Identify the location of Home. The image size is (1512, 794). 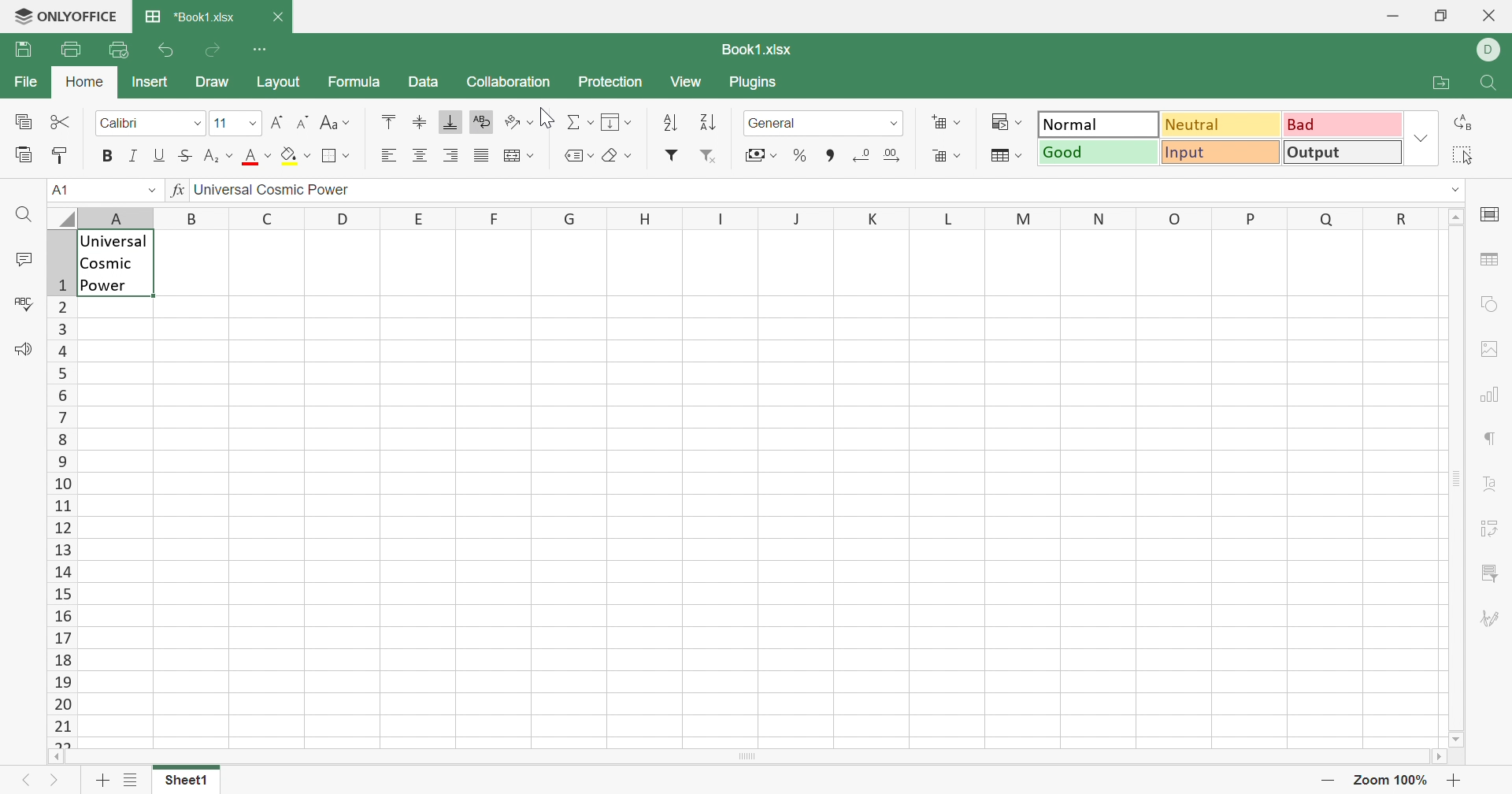
(83, 83).